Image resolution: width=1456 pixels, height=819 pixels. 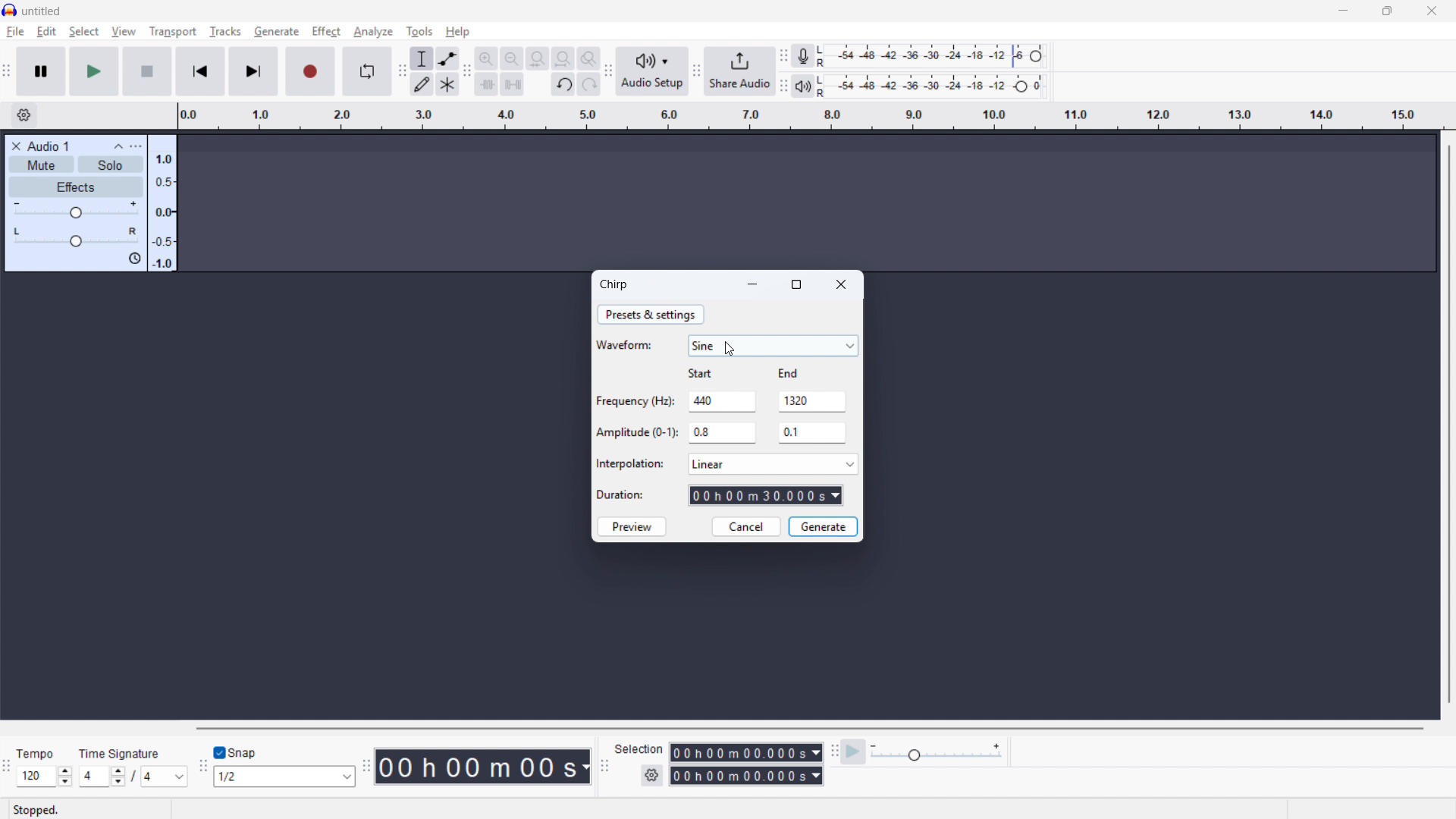 What do you see at coordinates (240, 752) in the screenshot?
I see `Toggle snap ` at bounding box center [240, 752].